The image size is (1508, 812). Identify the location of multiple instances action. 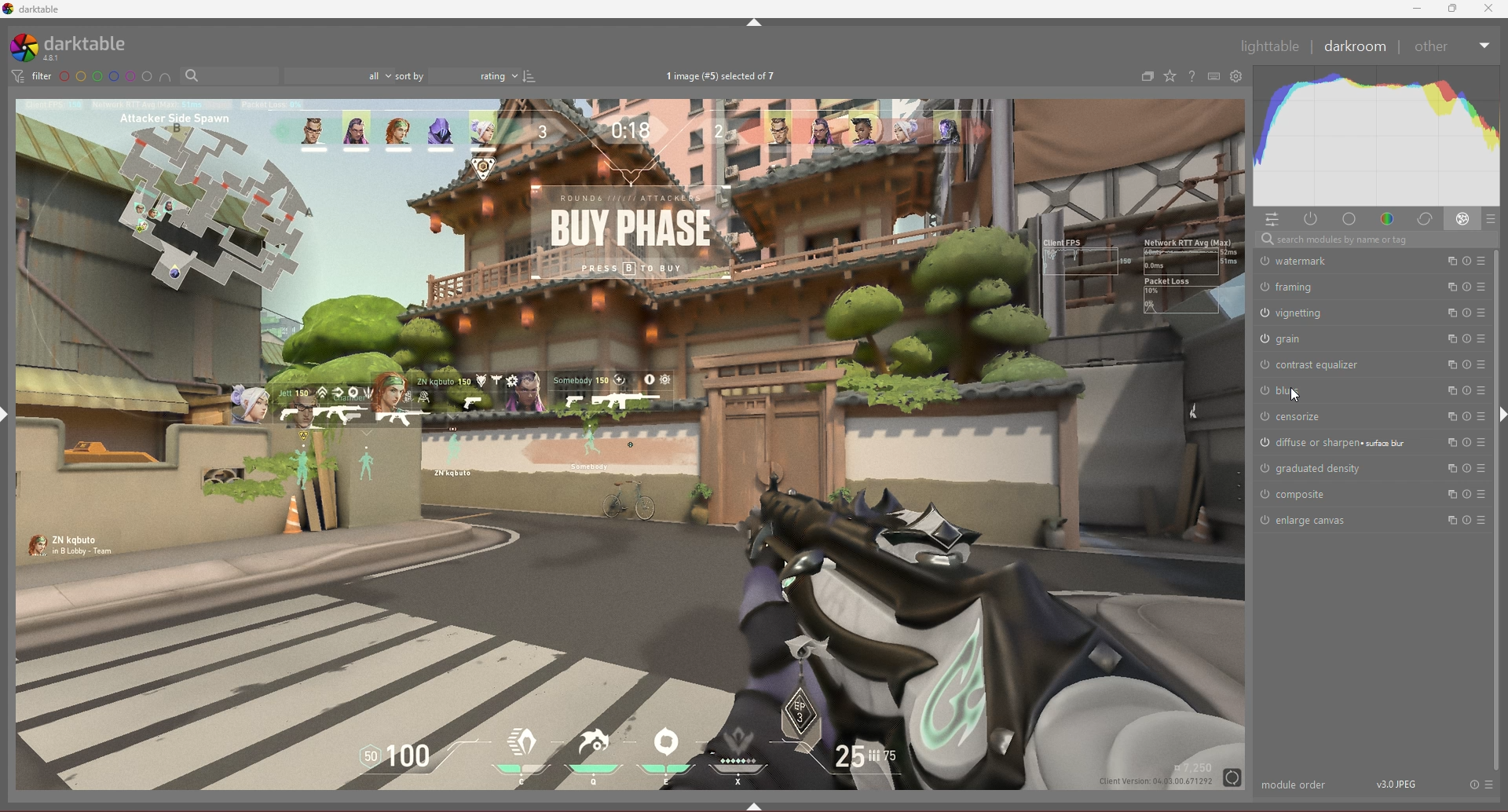
(1447, 520).